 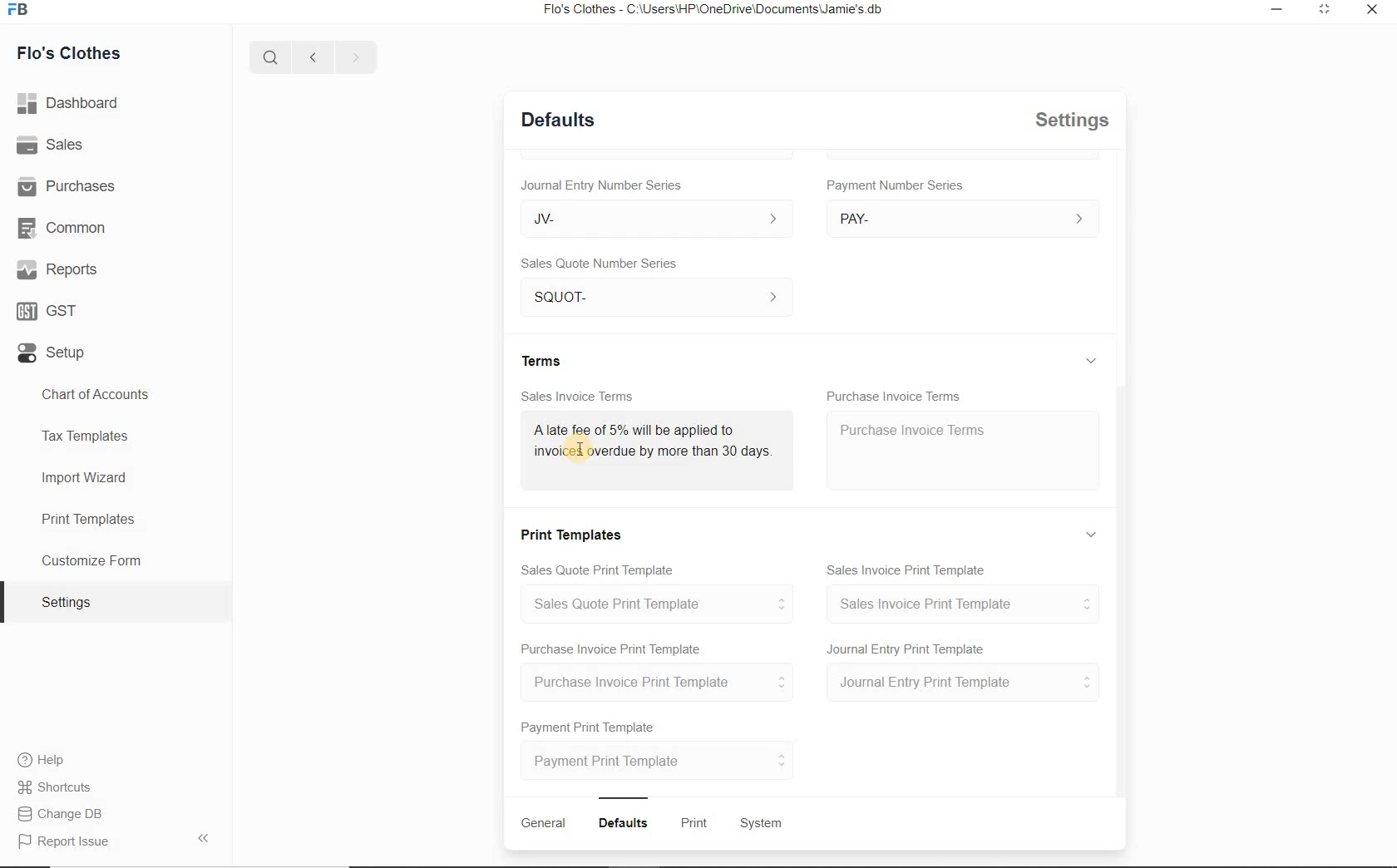 I want to click on Search, so click(x=268, y=55).